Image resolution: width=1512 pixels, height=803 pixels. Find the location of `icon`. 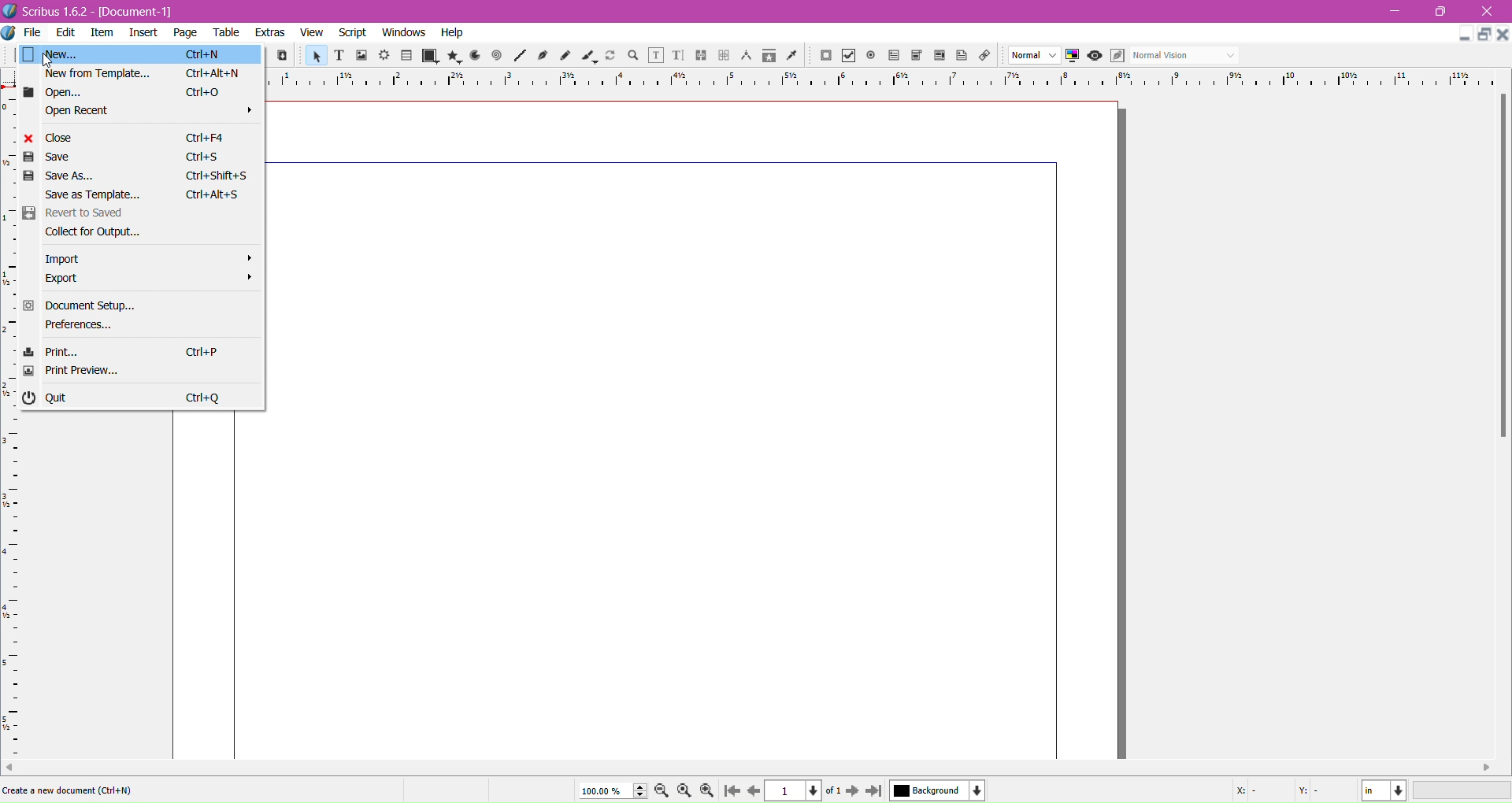

icon is located at coordinates (792, 57).